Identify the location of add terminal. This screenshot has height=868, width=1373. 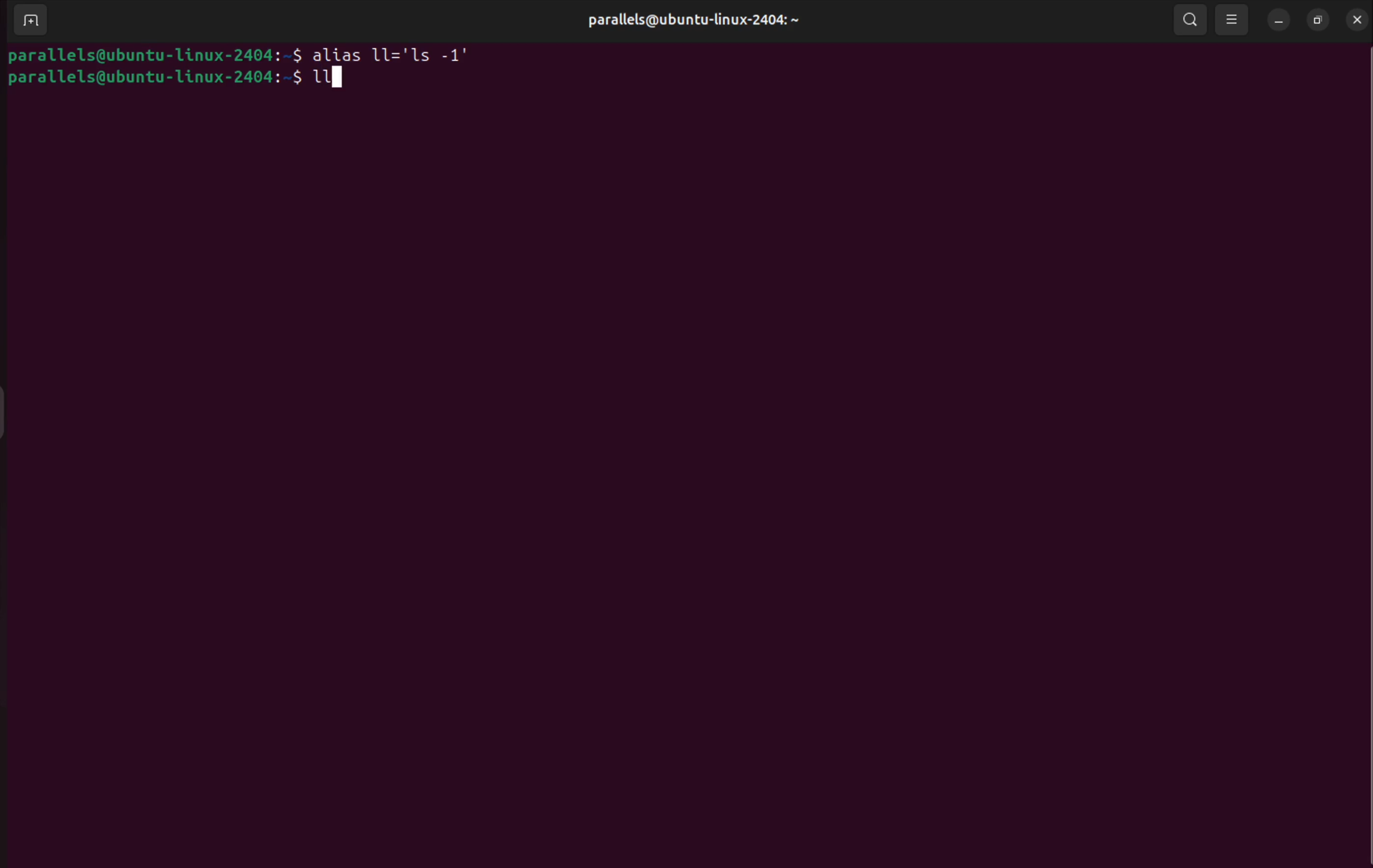
(30, 22).